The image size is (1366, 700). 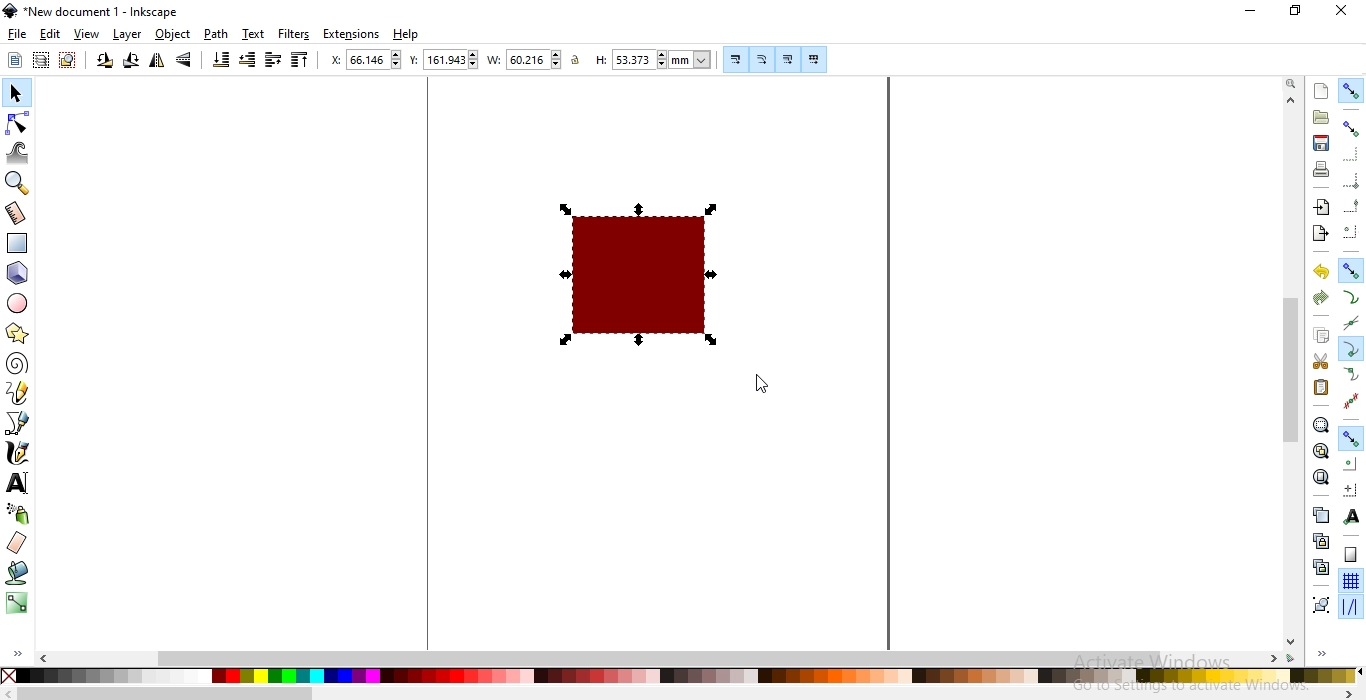 What do you see at coordinates (18, 35) in the screenshot?
I see `file` at bounding box center [18, 35].